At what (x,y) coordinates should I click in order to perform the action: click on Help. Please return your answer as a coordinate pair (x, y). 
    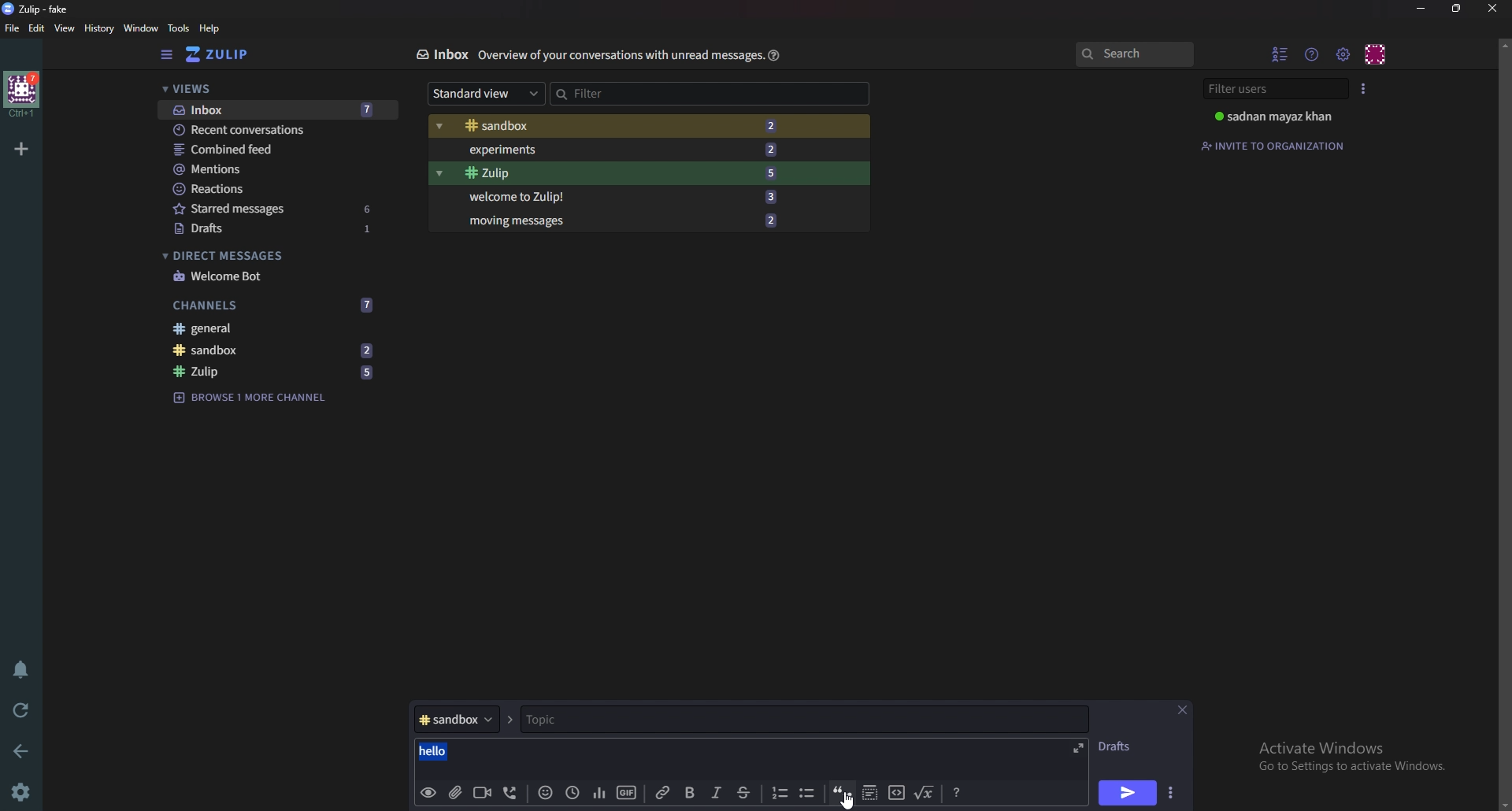
    Looking at the image, I should click on (773, 55).